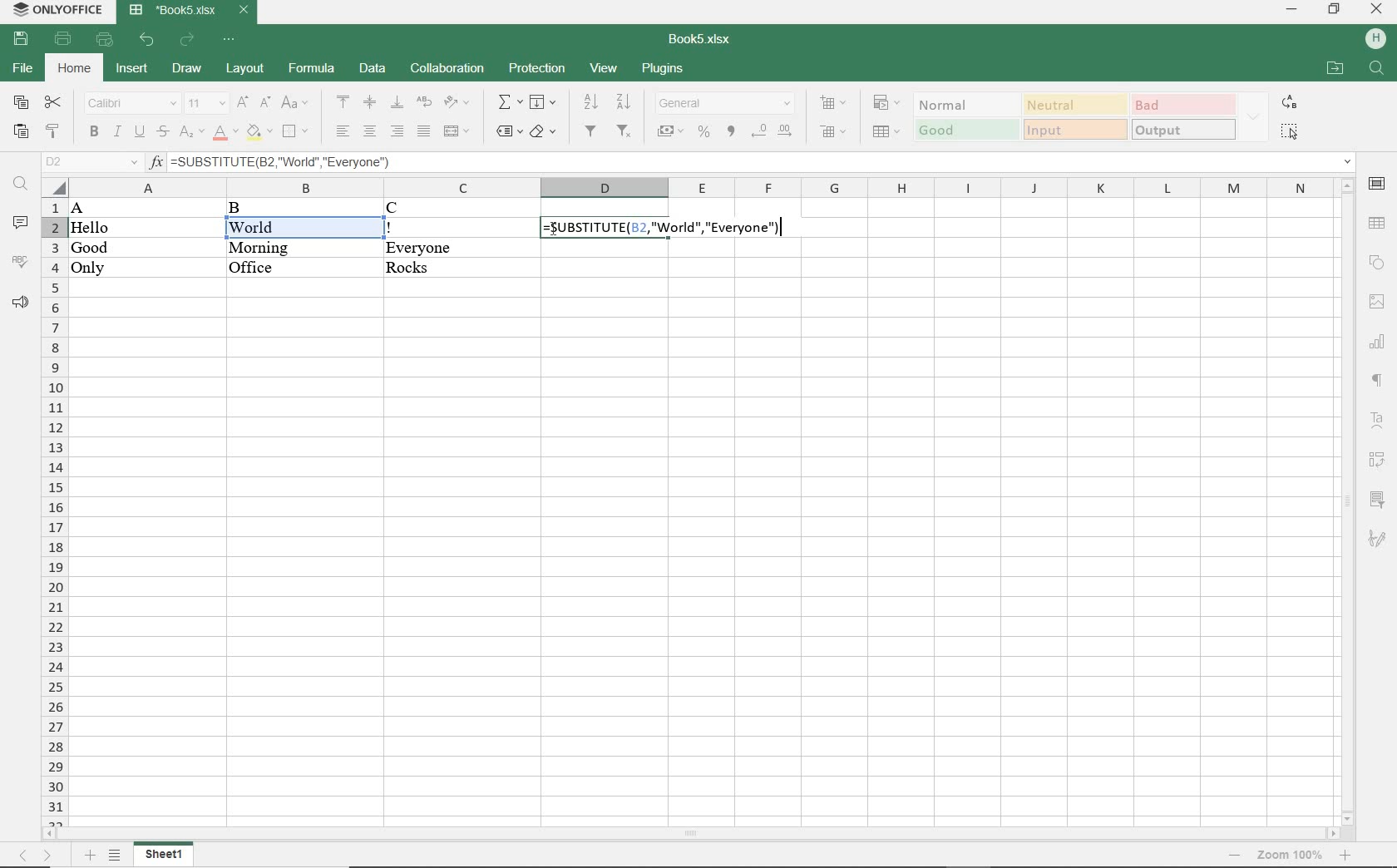  I want to click on remove filter, so click(625, 134).